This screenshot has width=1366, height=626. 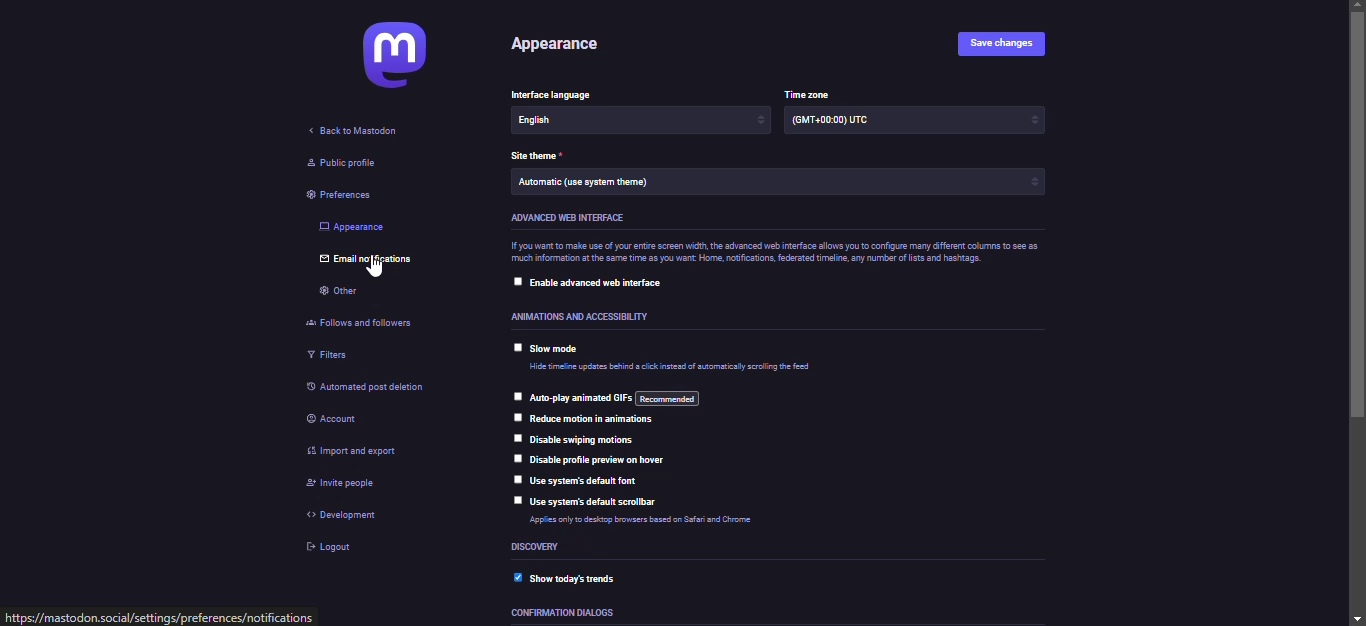 I want to click on mastodon, so click(x=398, y=55).